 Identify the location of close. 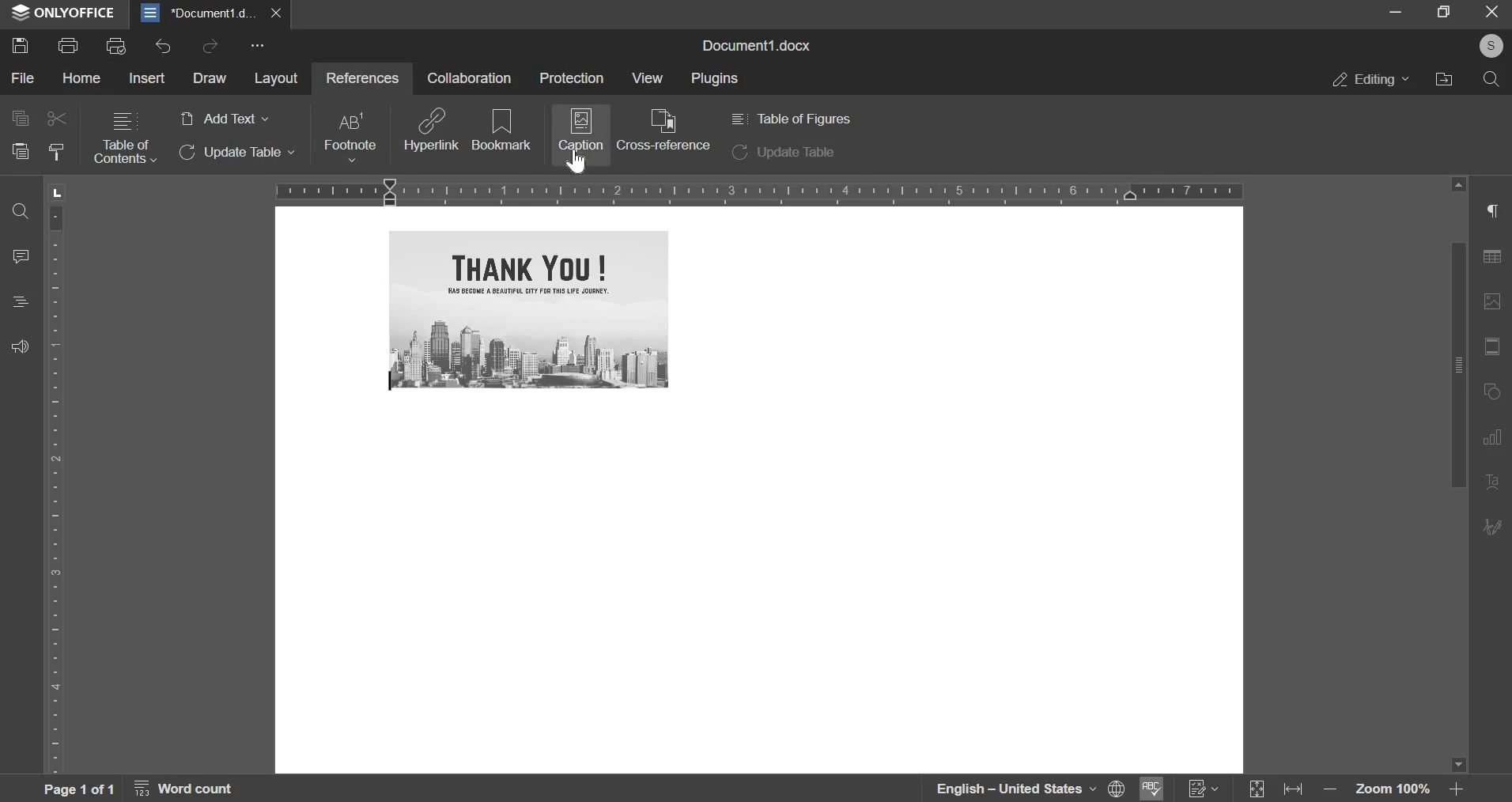
(280, 13).